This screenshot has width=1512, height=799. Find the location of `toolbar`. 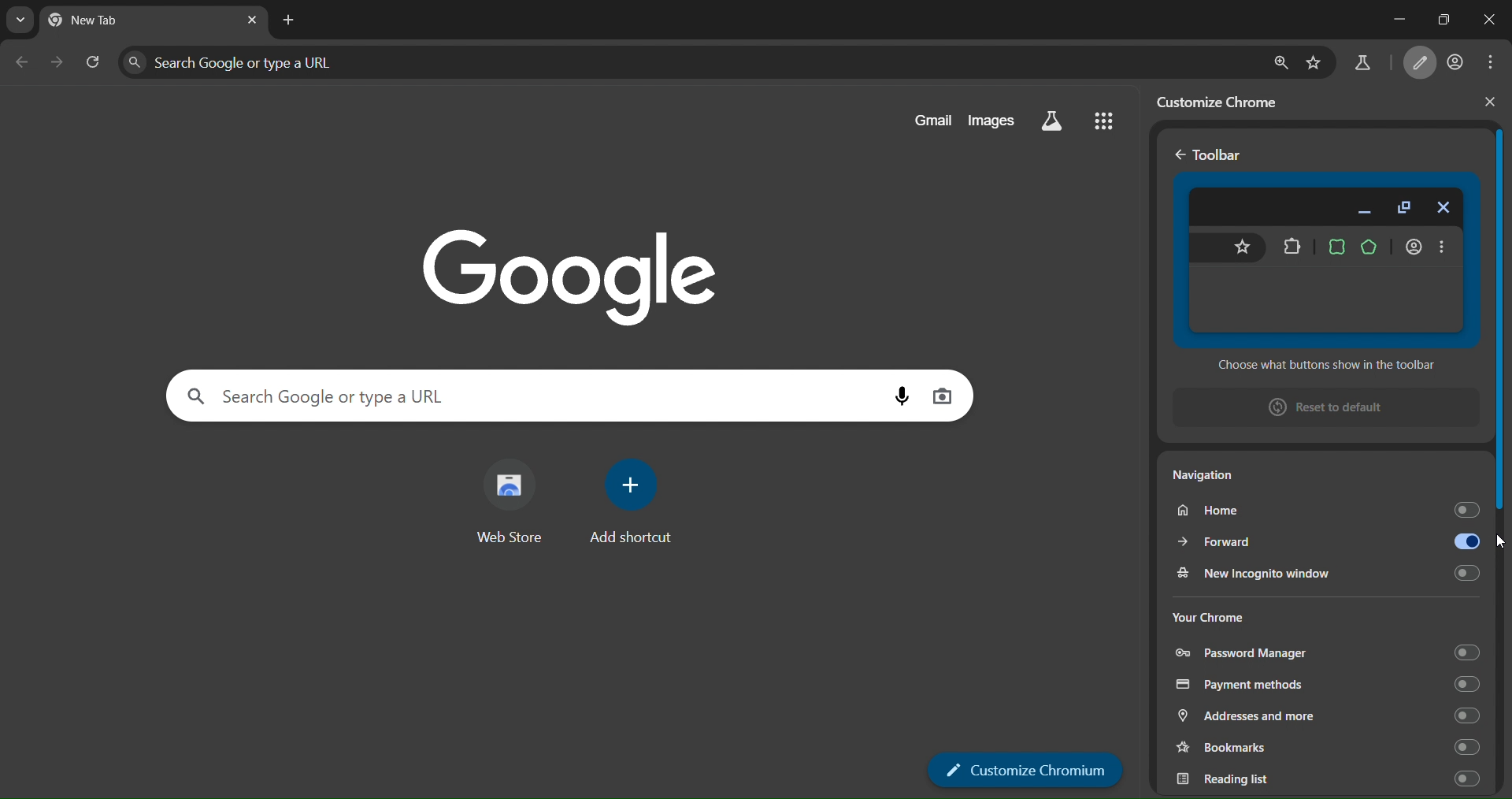

toolbar is located at coordinates (1222, 156).